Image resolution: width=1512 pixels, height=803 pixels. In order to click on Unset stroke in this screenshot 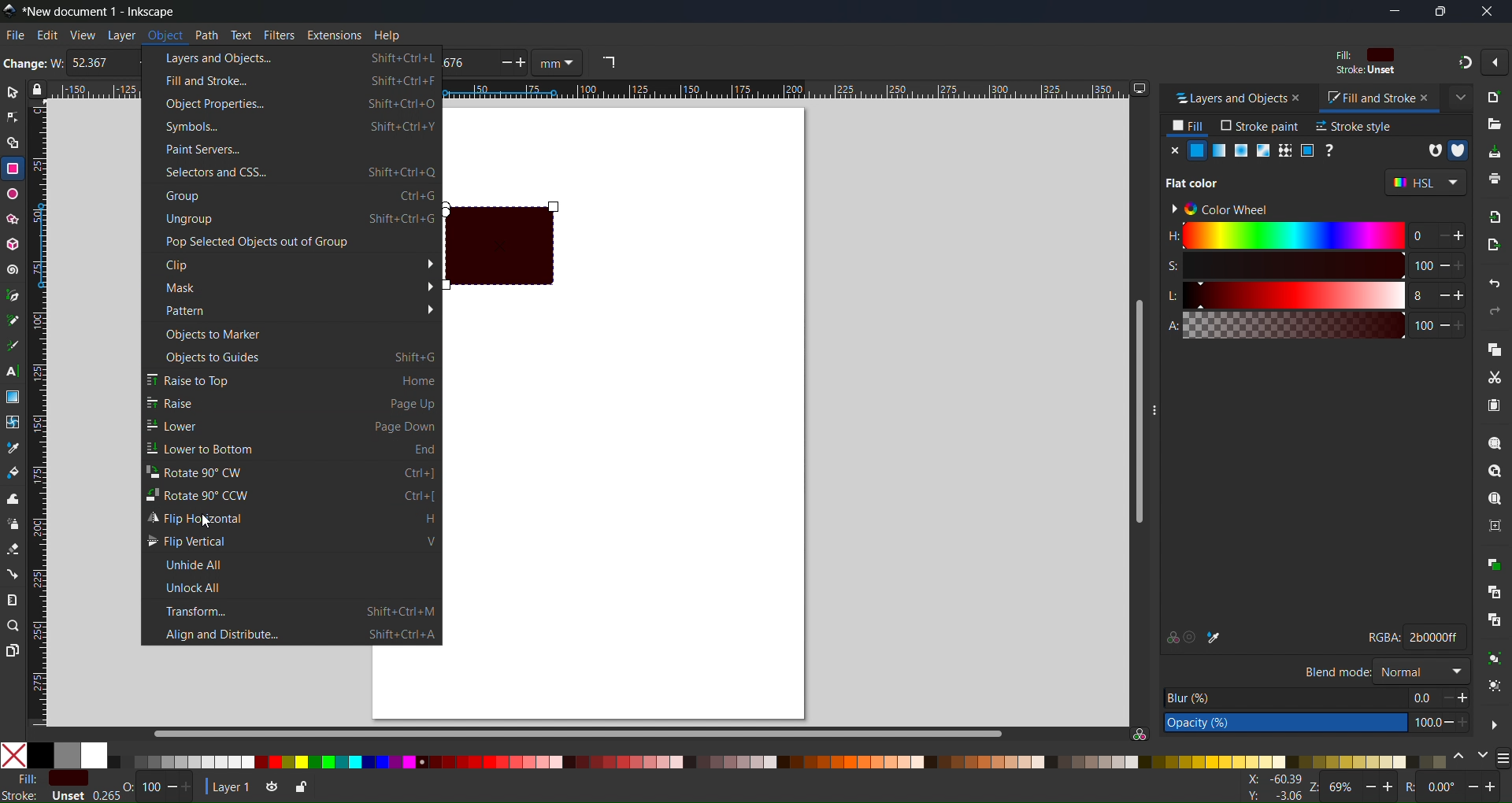, I will do `click(1365, 72)`.